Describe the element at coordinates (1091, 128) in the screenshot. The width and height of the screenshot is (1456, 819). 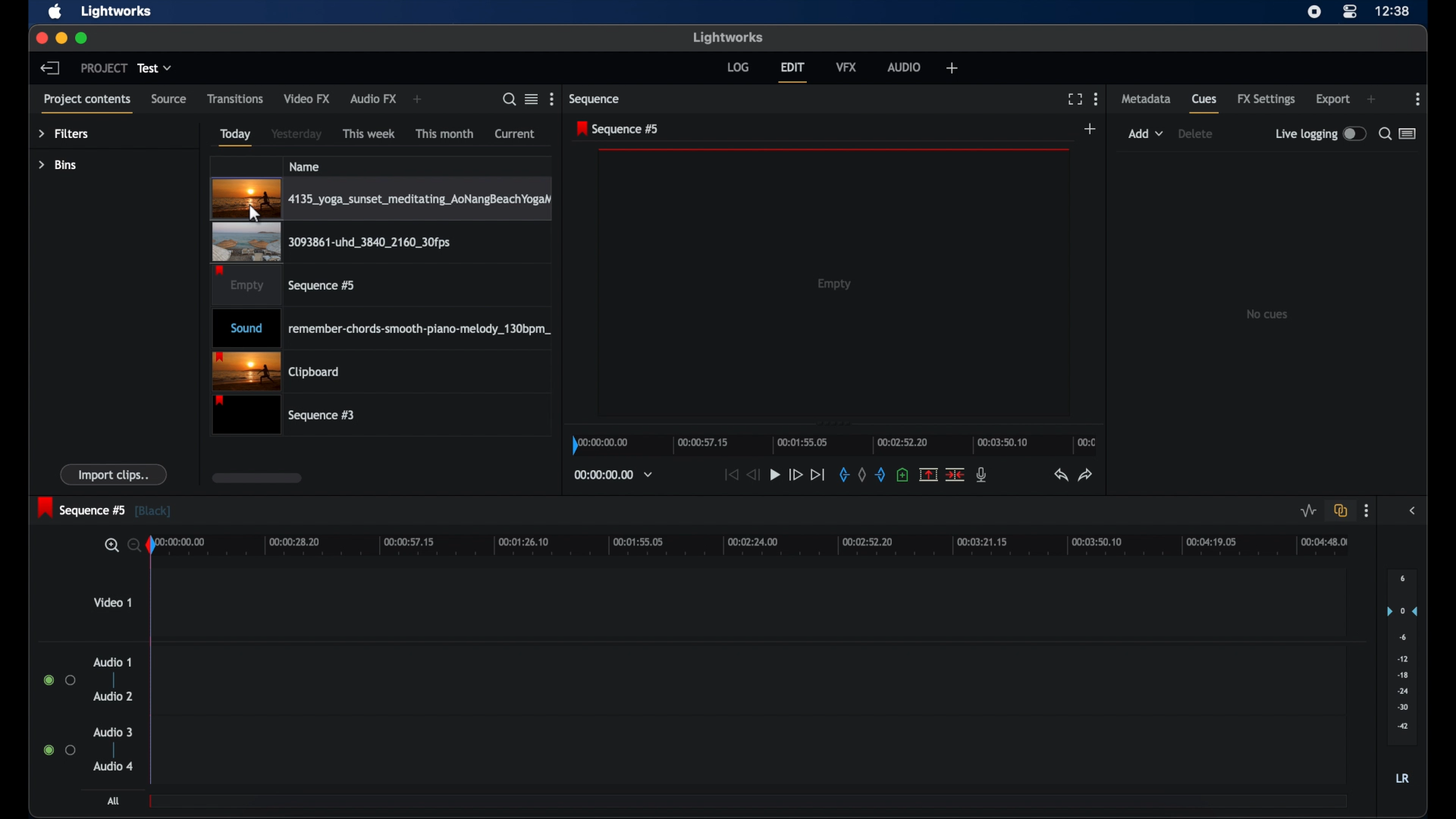
I see `add` at that location.